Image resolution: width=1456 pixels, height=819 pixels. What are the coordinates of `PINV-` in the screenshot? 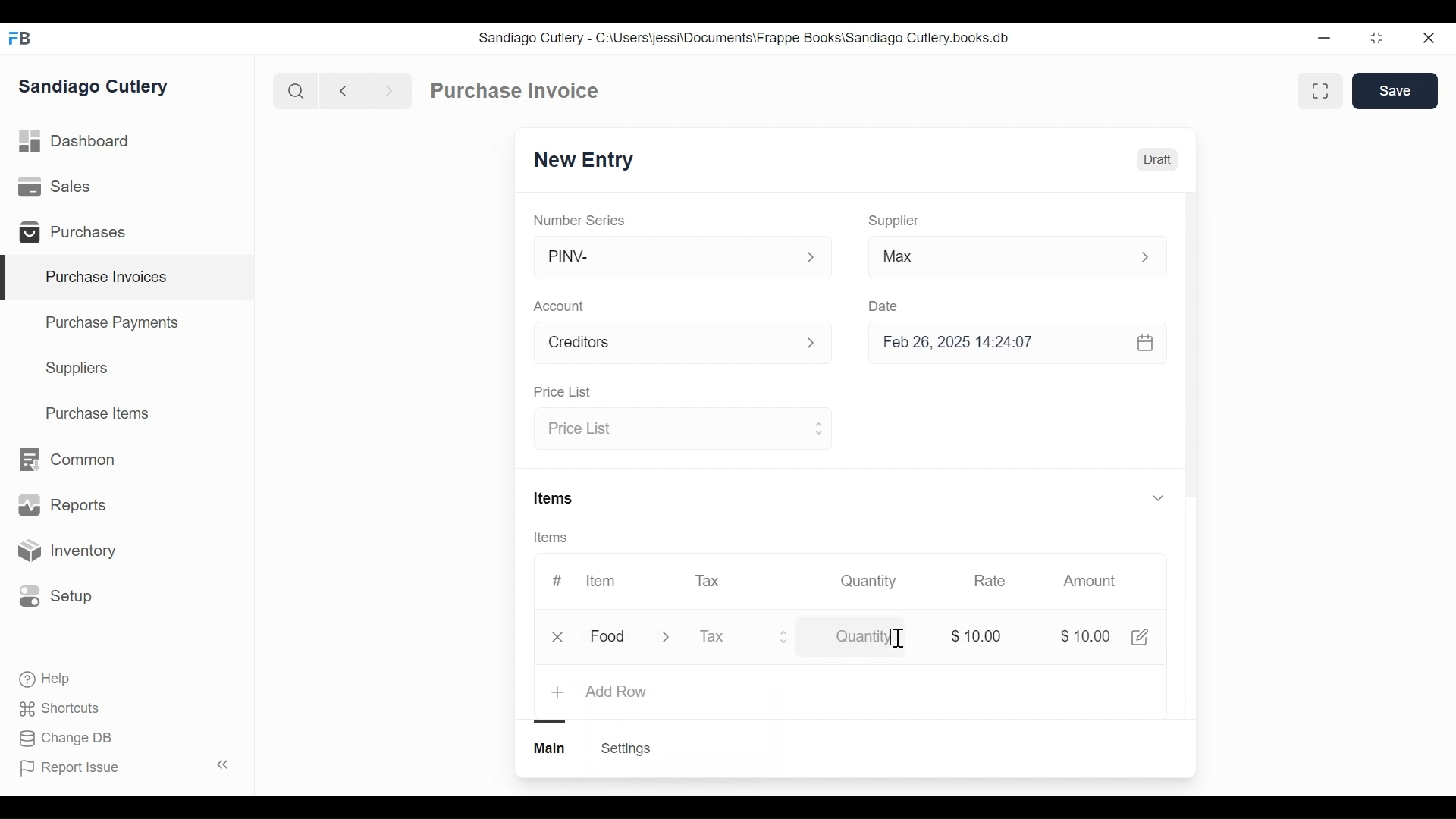 It's located at (664, 257).